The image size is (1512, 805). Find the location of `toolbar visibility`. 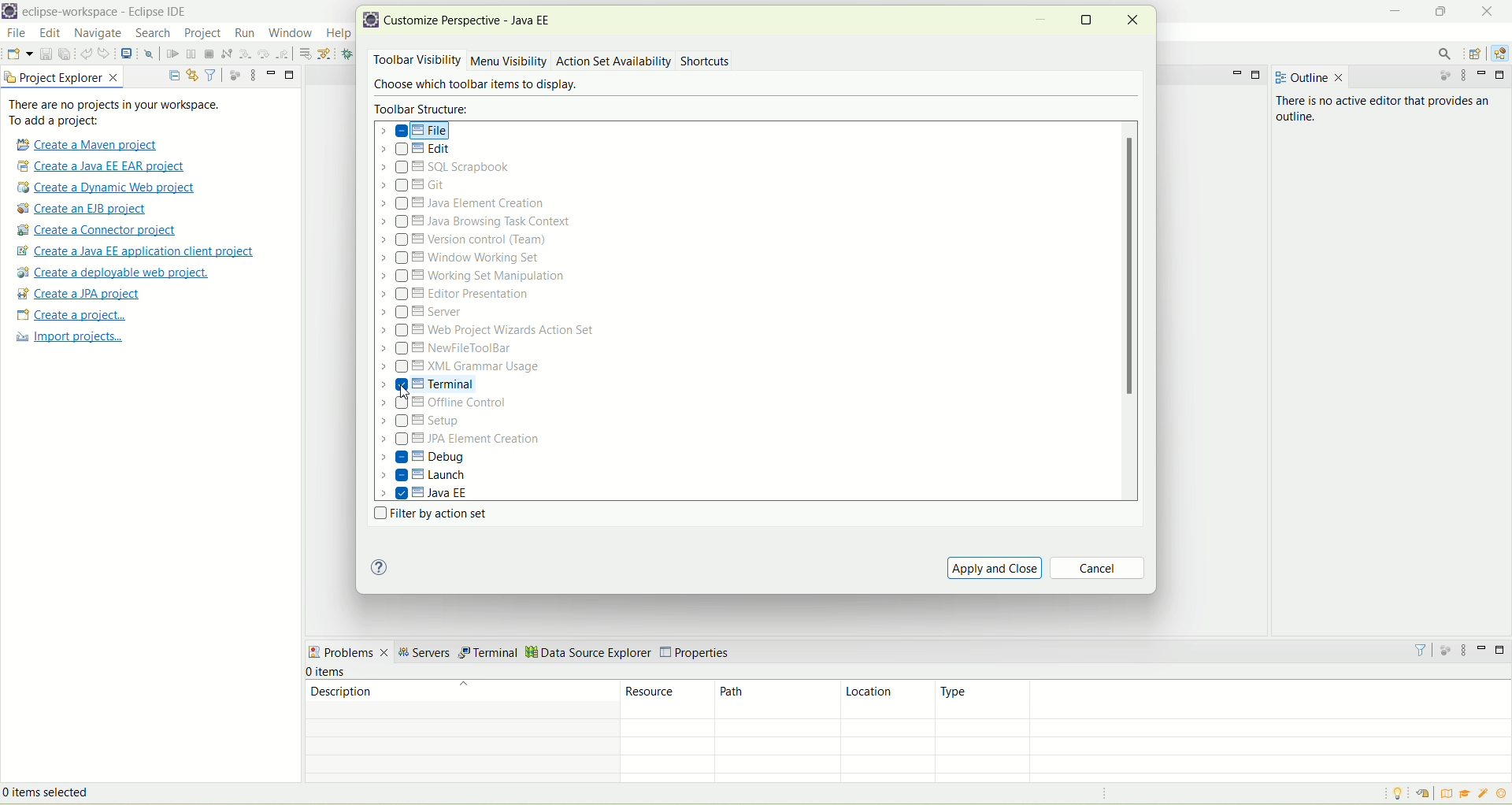

toolbar visibility is located at coordinates (414, 61).